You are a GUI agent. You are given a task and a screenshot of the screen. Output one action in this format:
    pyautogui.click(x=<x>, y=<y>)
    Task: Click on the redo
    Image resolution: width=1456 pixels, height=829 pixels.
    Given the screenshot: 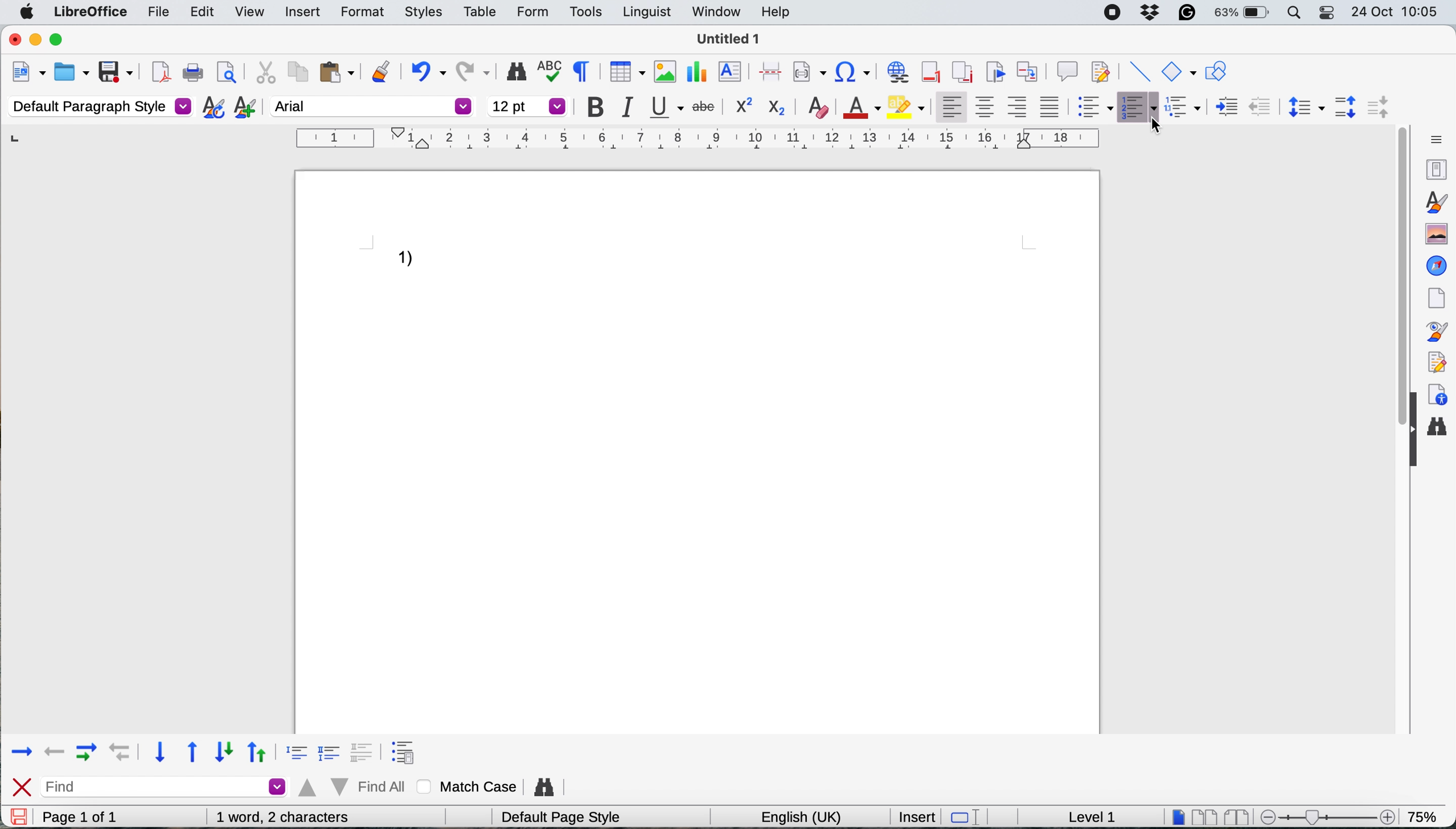 What is the action you would take?
    pyautogui.click(x=474, y=68)
    